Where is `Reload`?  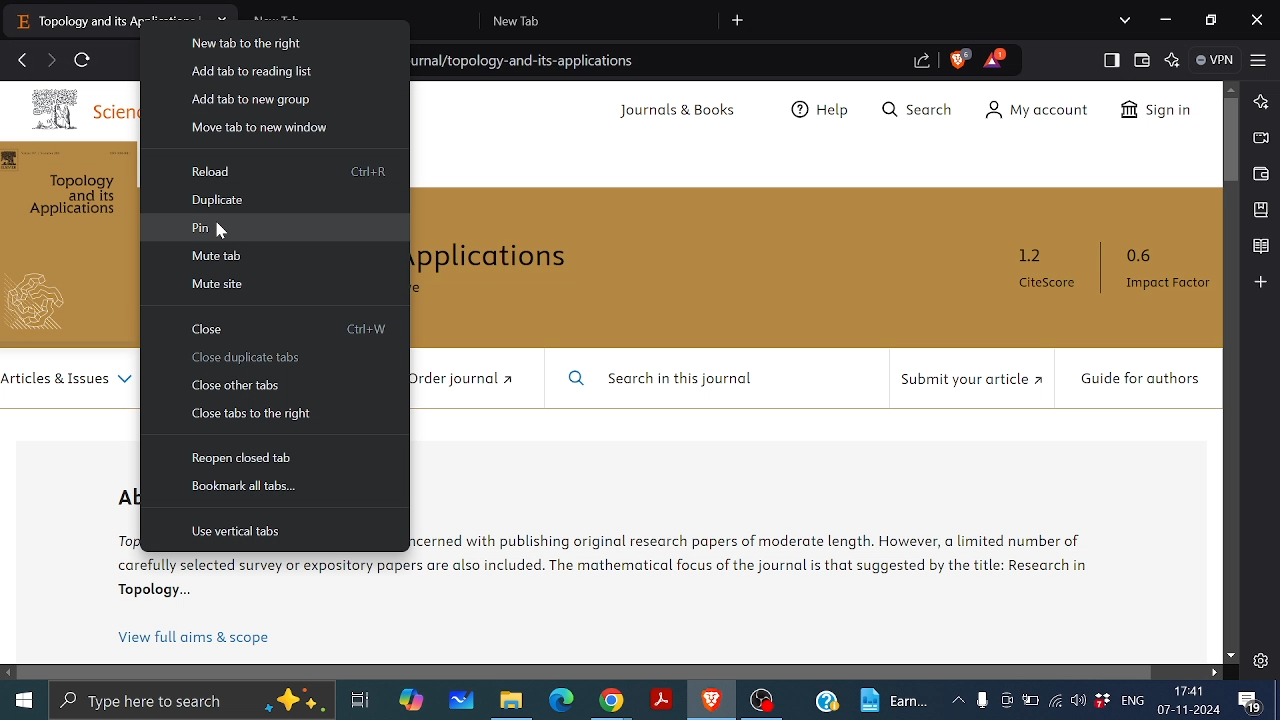 Reload is located at coordinates (210, 171).